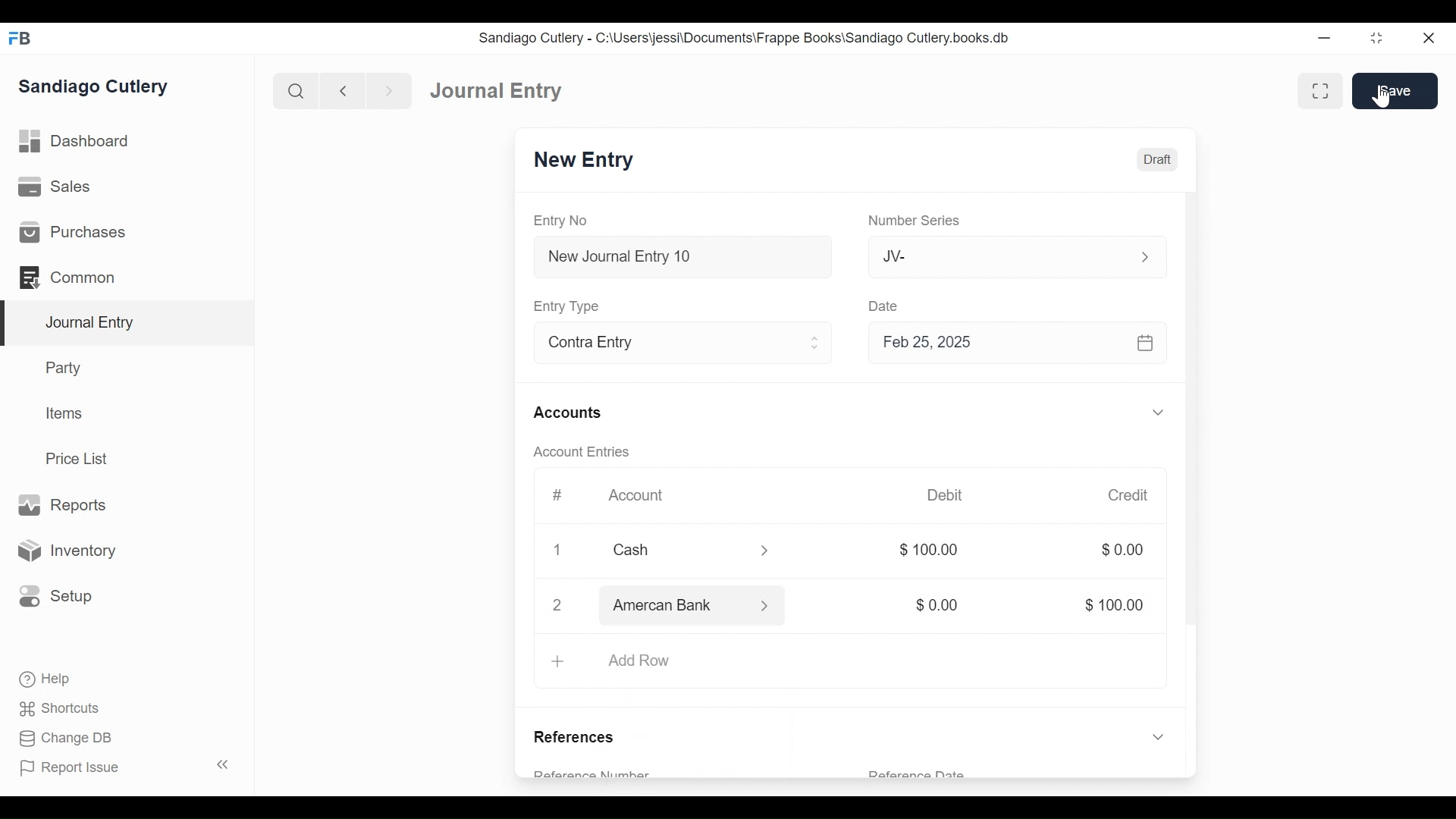  I want to click on Cash, so click(667, 551).